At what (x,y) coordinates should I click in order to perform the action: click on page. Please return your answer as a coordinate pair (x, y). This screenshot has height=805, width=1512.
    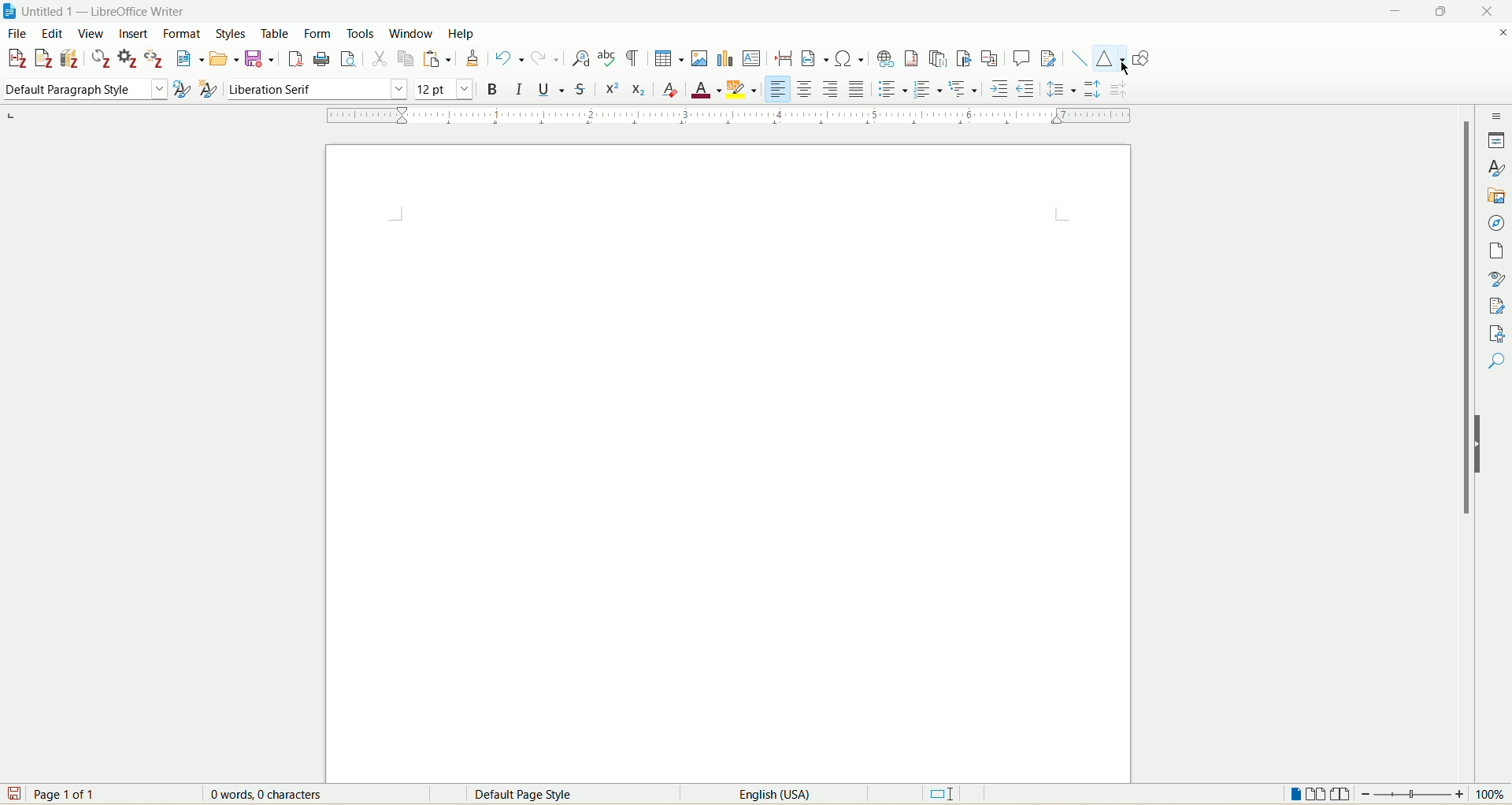
    Looking at the image, I should click on (729, 462).